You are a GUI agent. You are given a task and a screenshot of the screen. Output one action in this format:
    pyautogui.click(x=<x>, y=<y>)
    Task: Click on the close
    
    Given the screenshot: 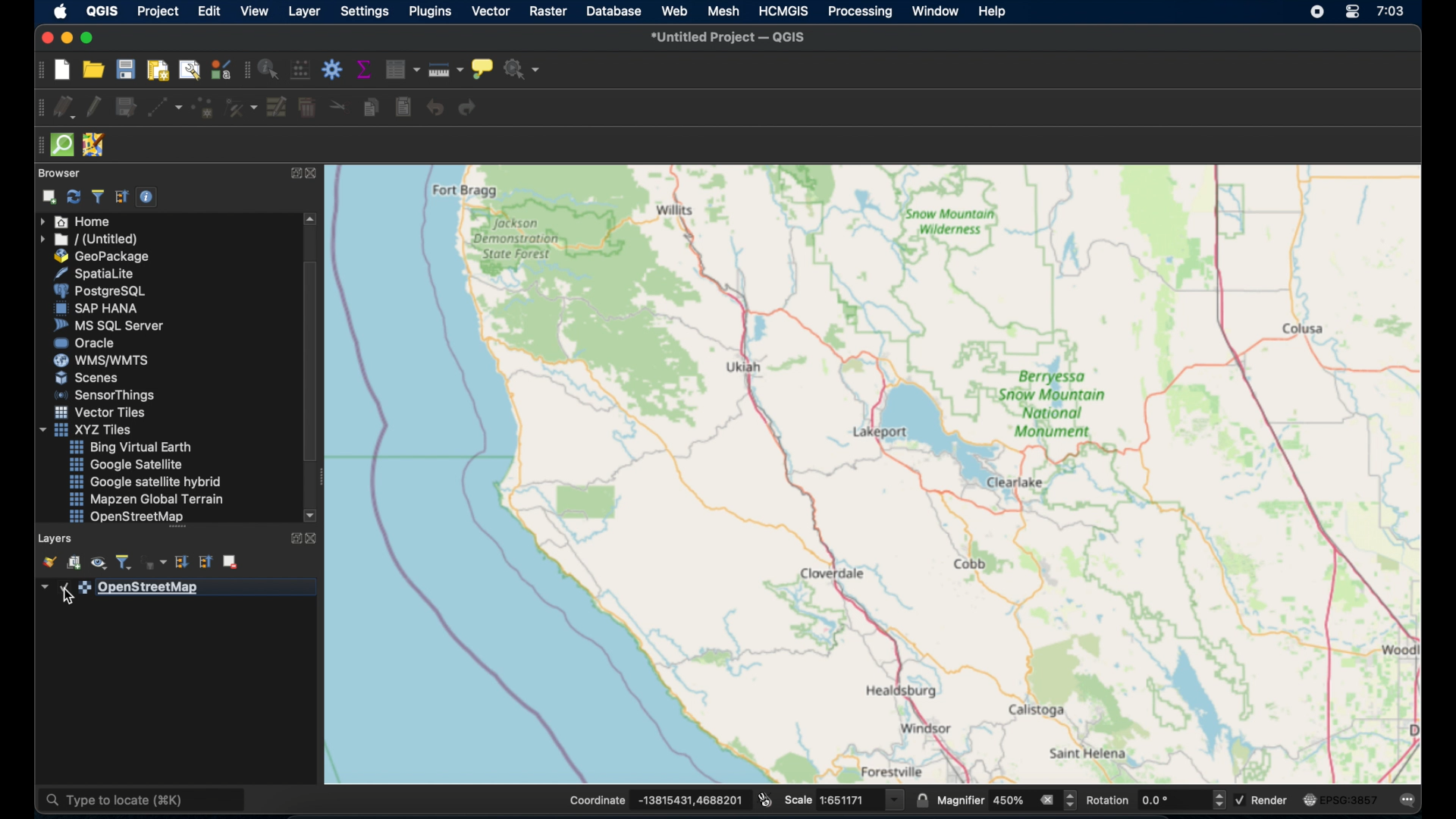 What is the action you would take?
    pyautogui.click(x=313, y=540)
    